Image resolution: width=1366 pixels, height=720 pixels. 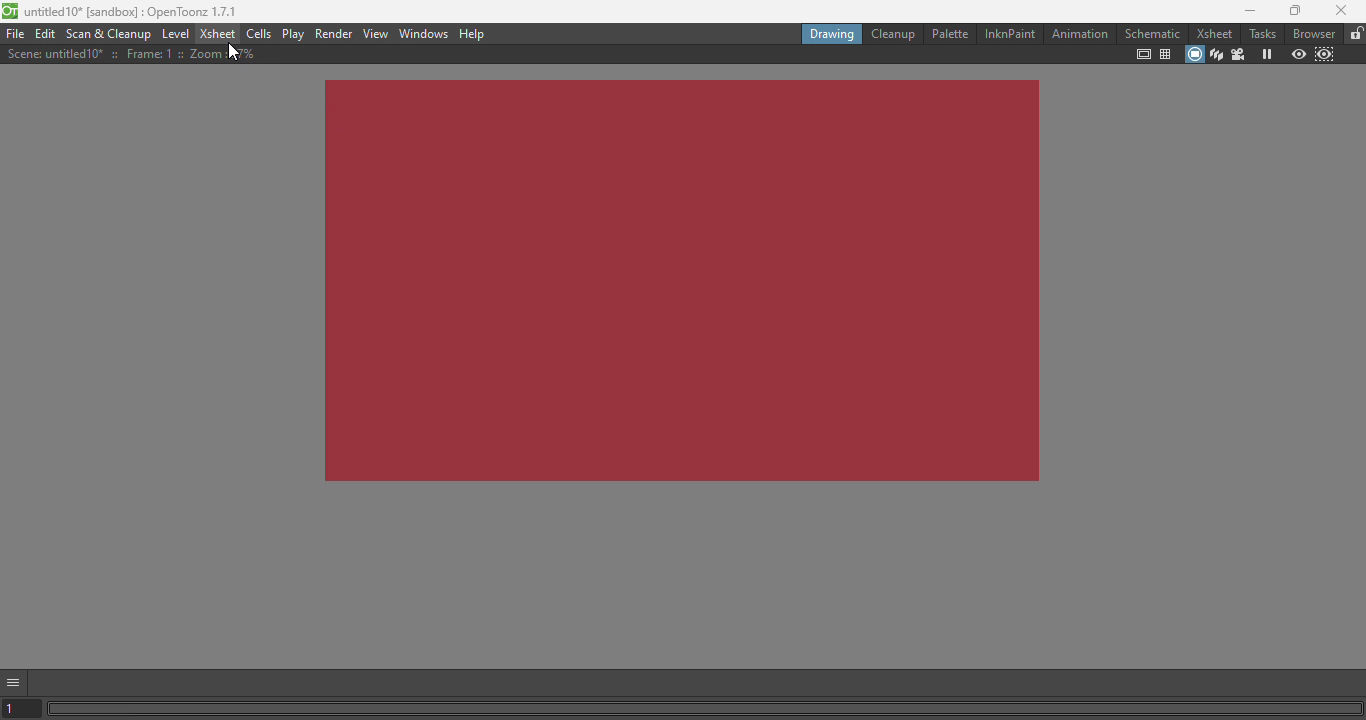 What do you see at coordinates (1297, 55) in the screenshot?
I see `Preview` at bounding box center [1297, 55].